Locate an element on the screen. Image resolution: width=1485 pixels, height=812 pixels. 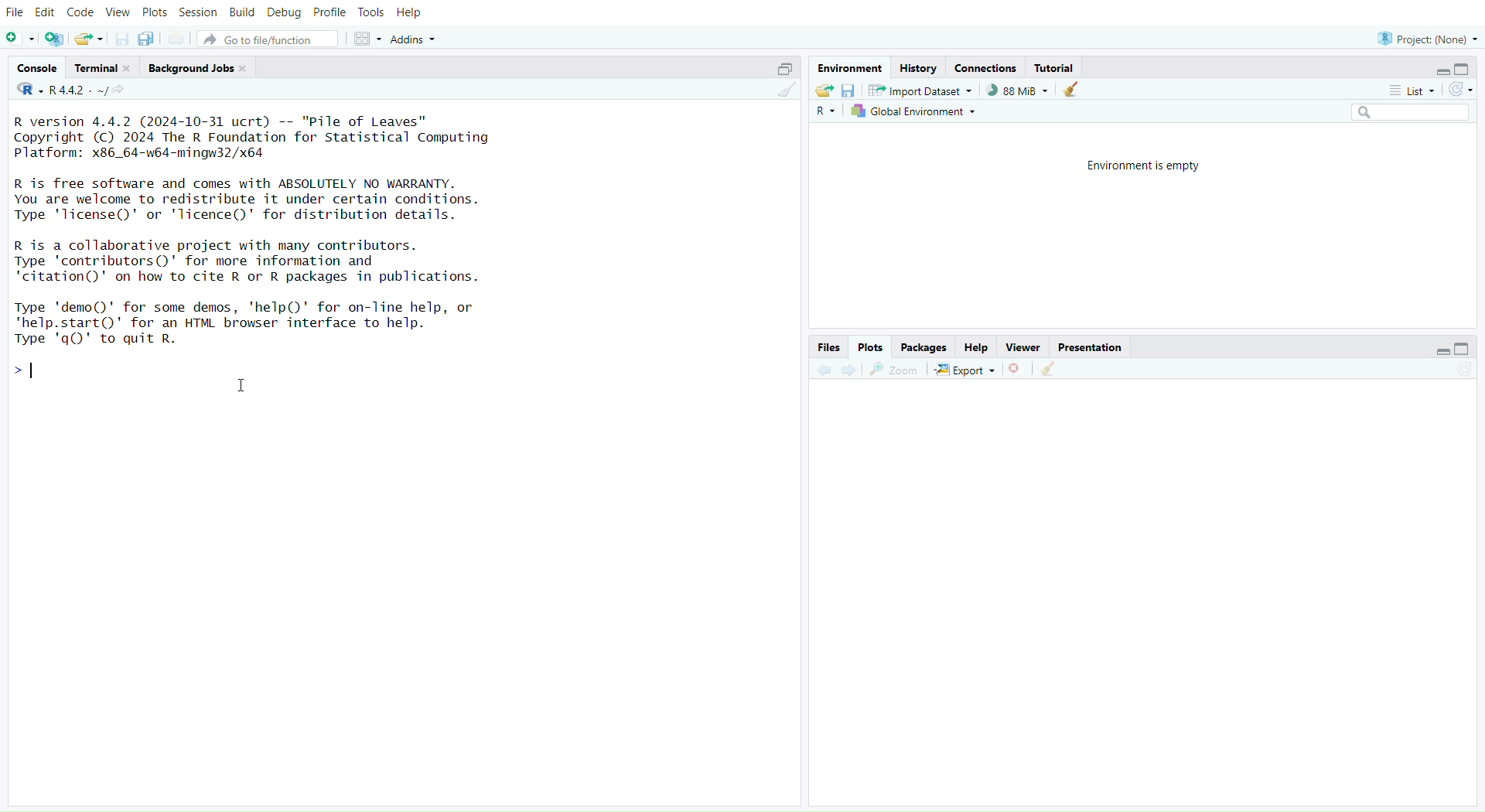
help is located at coordinates (408, 14).